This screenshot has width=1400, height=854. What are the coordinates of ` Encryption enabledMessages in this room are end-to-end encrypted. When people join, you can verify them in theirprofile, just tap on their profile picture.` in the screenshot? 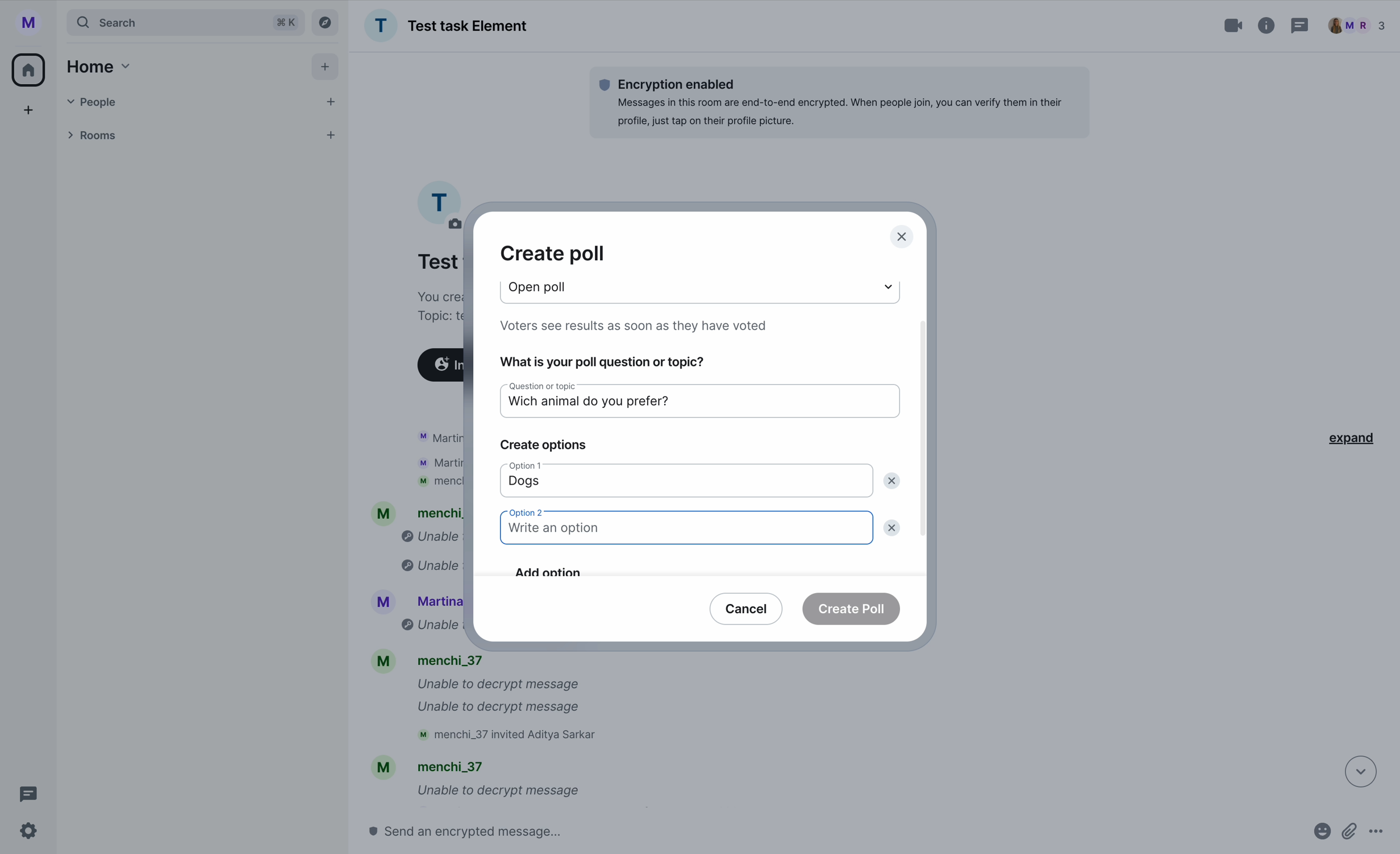 It's located at (838, 102).